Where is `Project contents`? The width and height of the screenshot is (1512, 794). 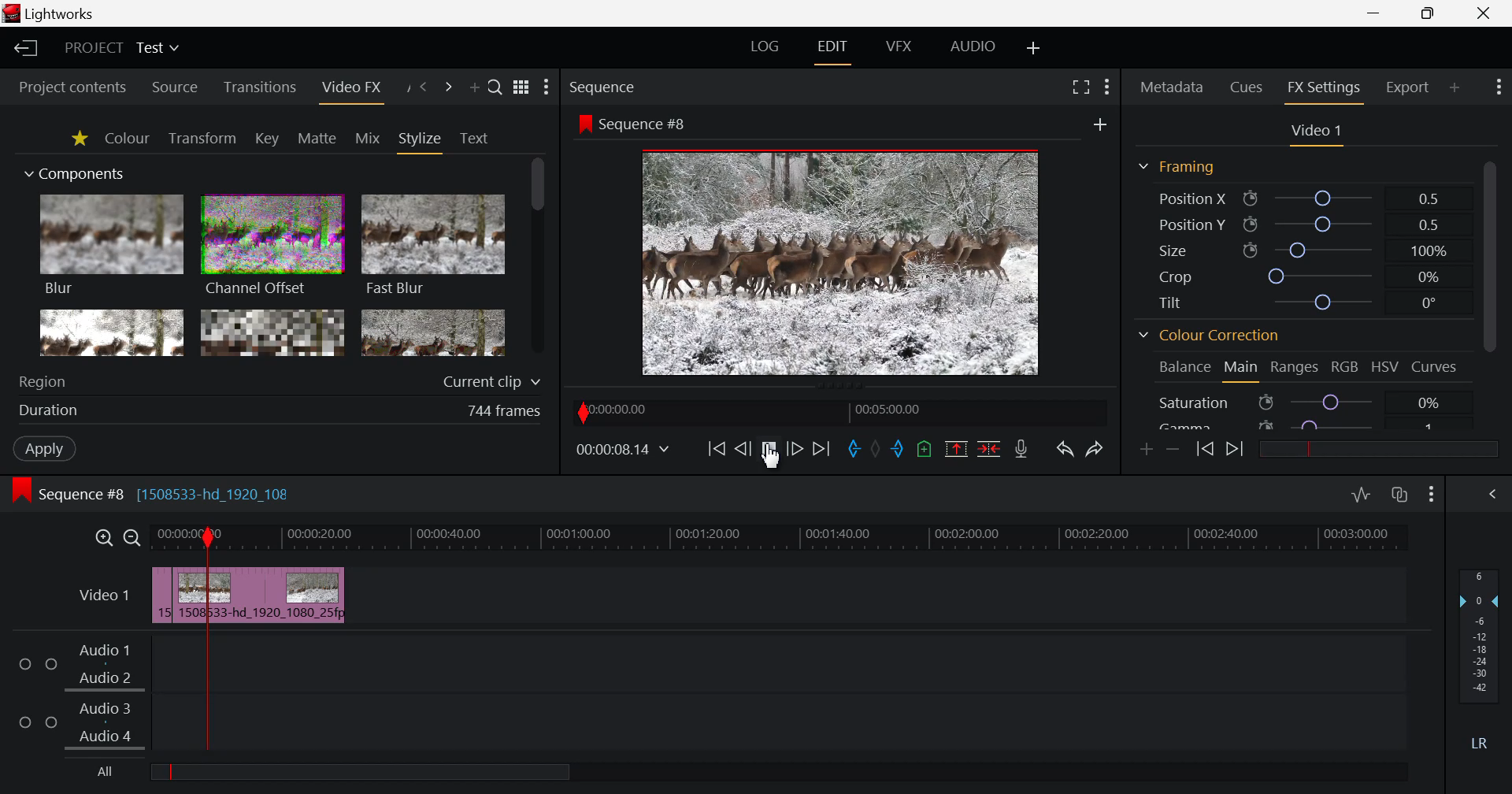
Project contents is located at coordinates (72, 85).